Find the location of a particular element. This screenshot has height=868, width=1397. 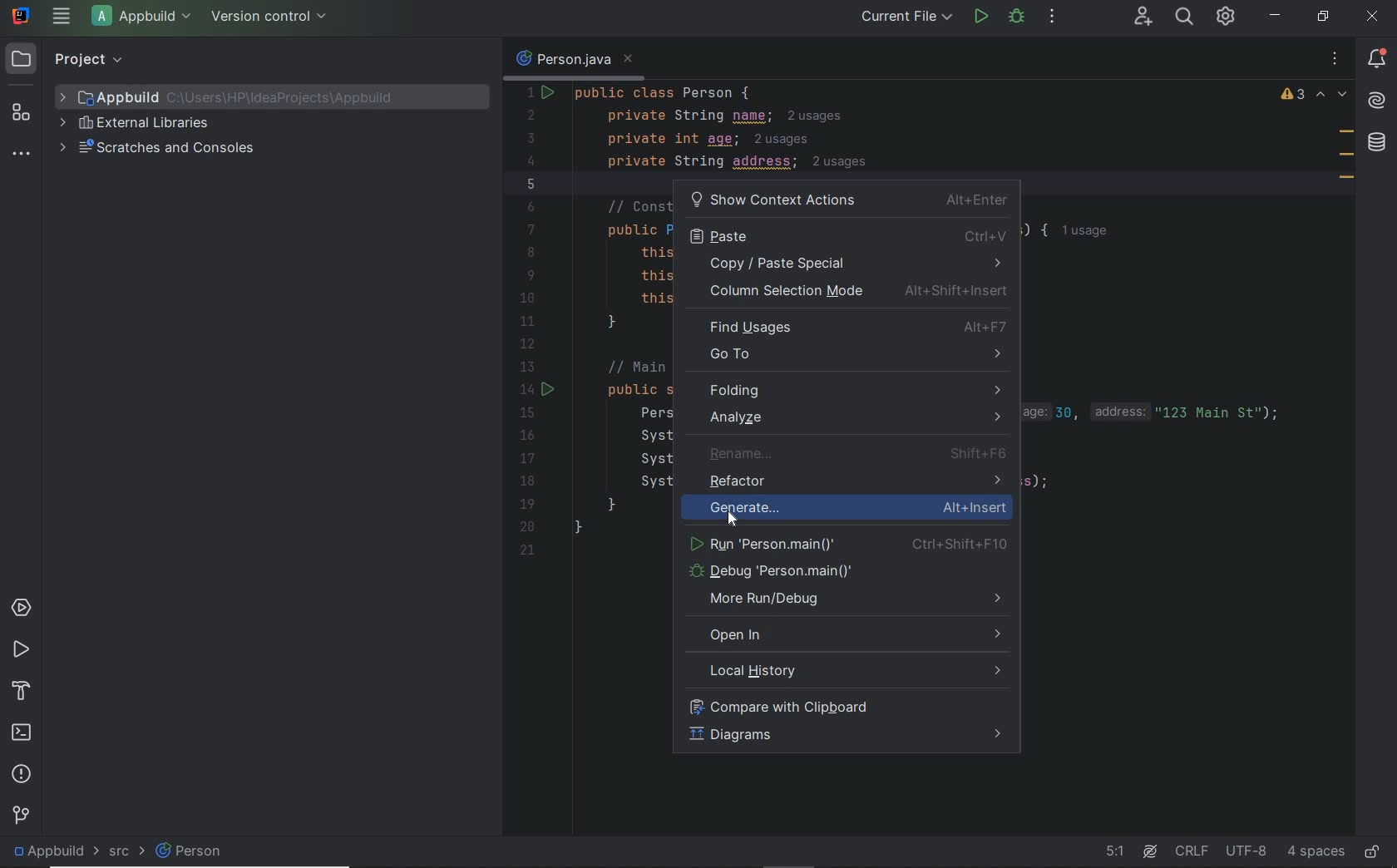

field marks is located at coordinates (1346, 157).